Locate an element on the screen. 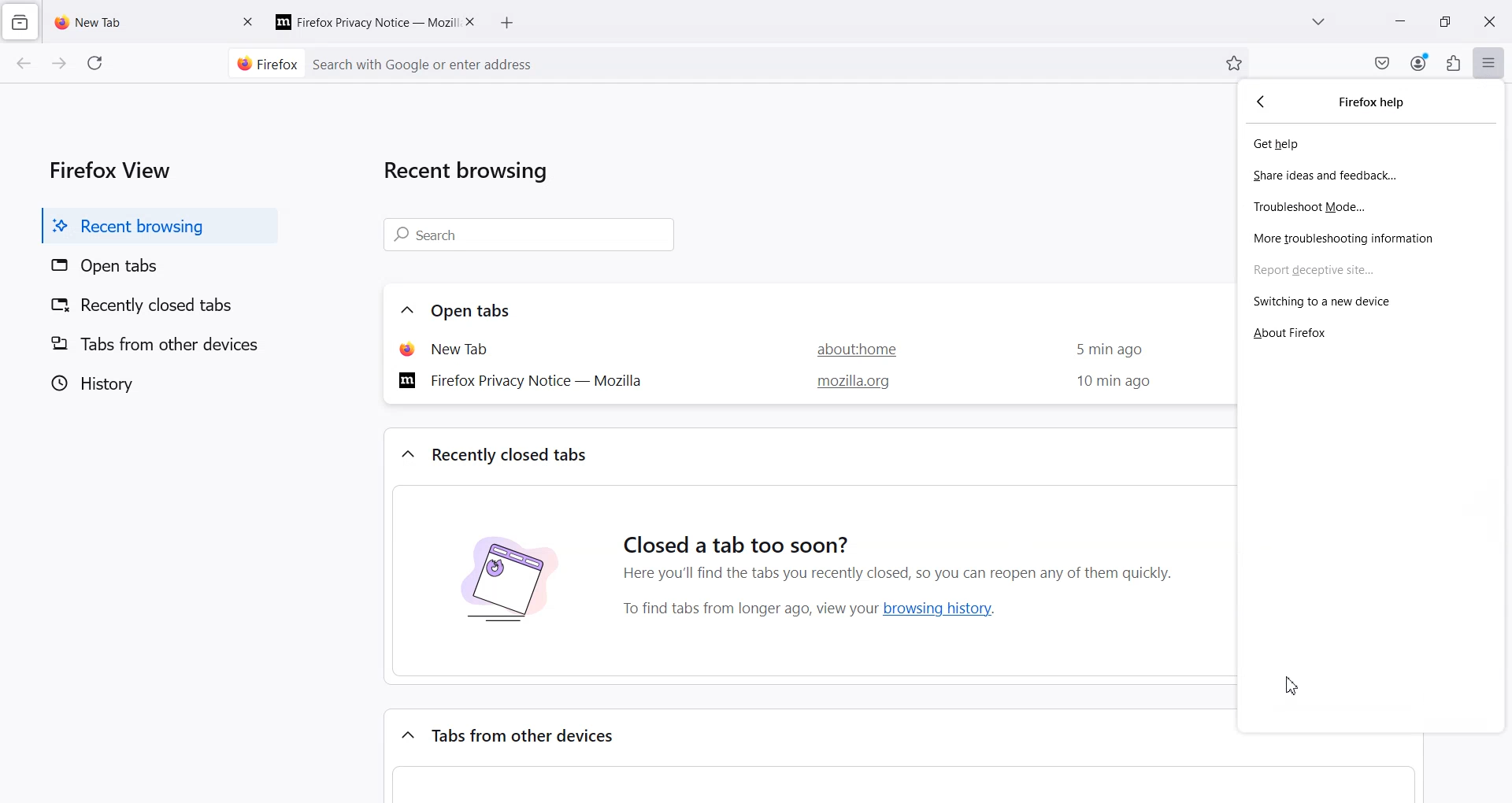 This screenshot has height=803, width=1512. History is located at coordinates (154, 383).